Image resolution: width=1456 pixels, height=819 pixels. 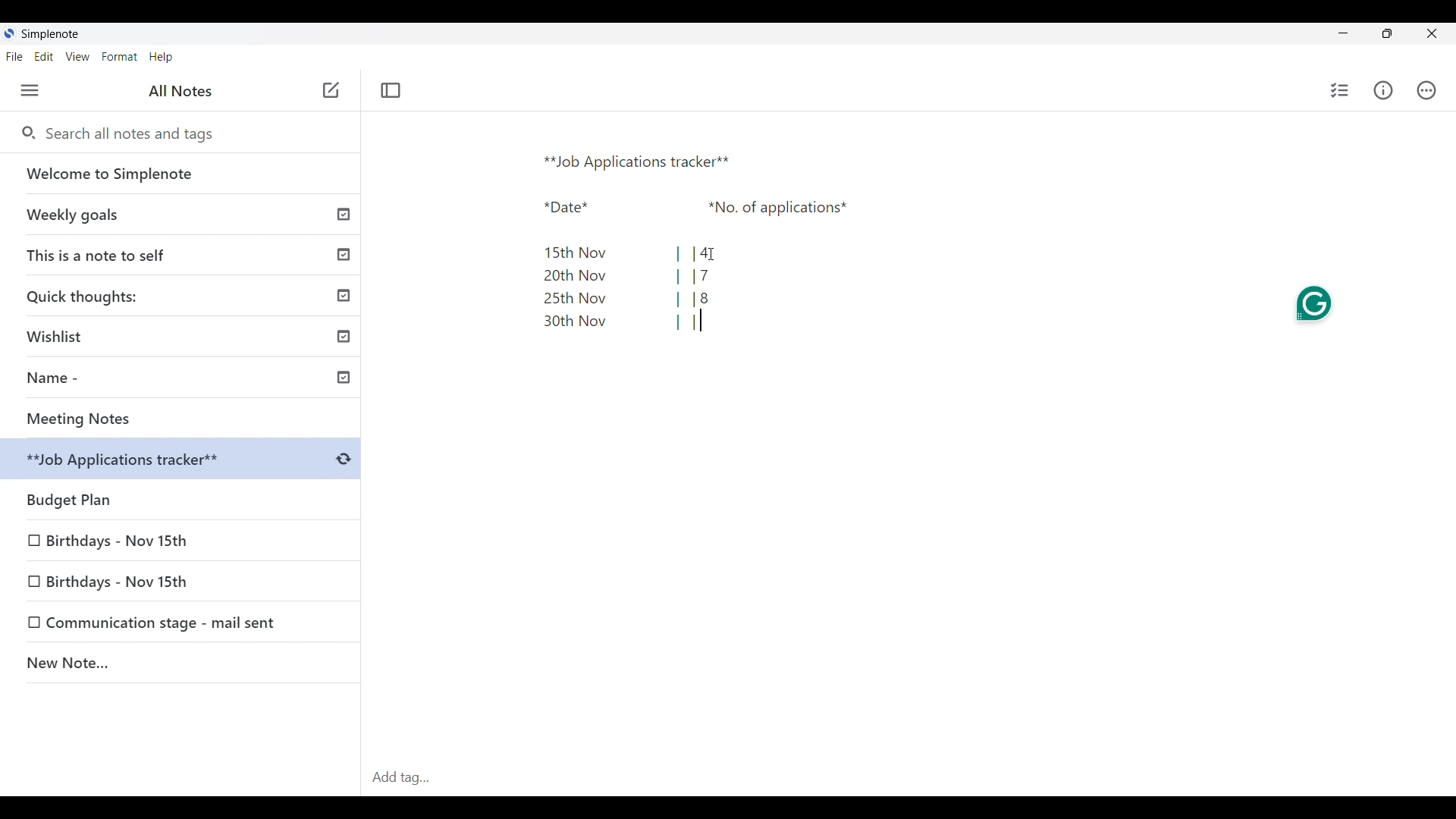 What do you see at coordinates (119, 538) in the screenshot?
I see `Birthdays - Nov 15th` at bounding box center [119, 538].